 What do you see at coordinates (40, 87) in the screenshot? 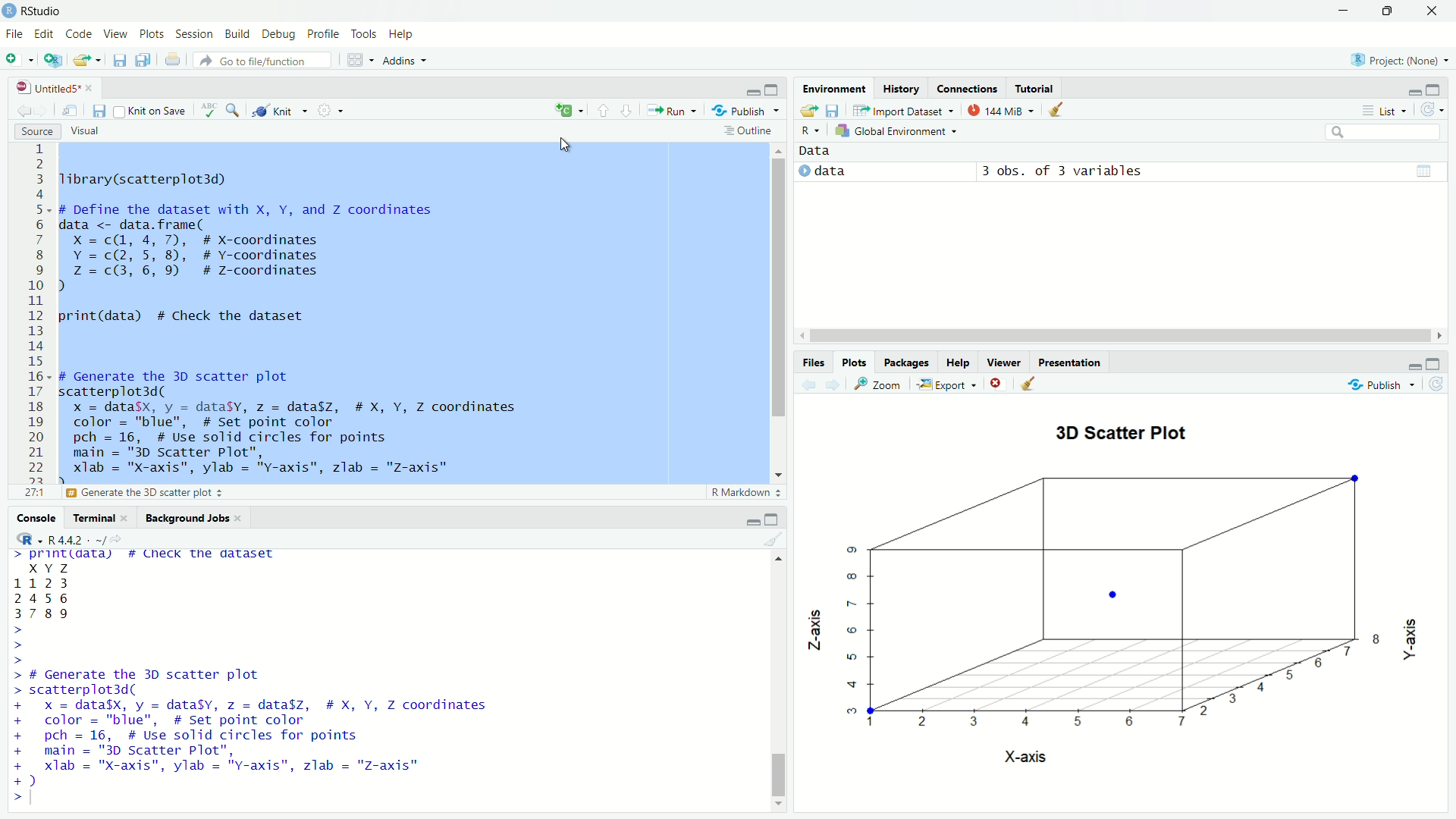
I see `untitled` at bounding box center [40, 87].